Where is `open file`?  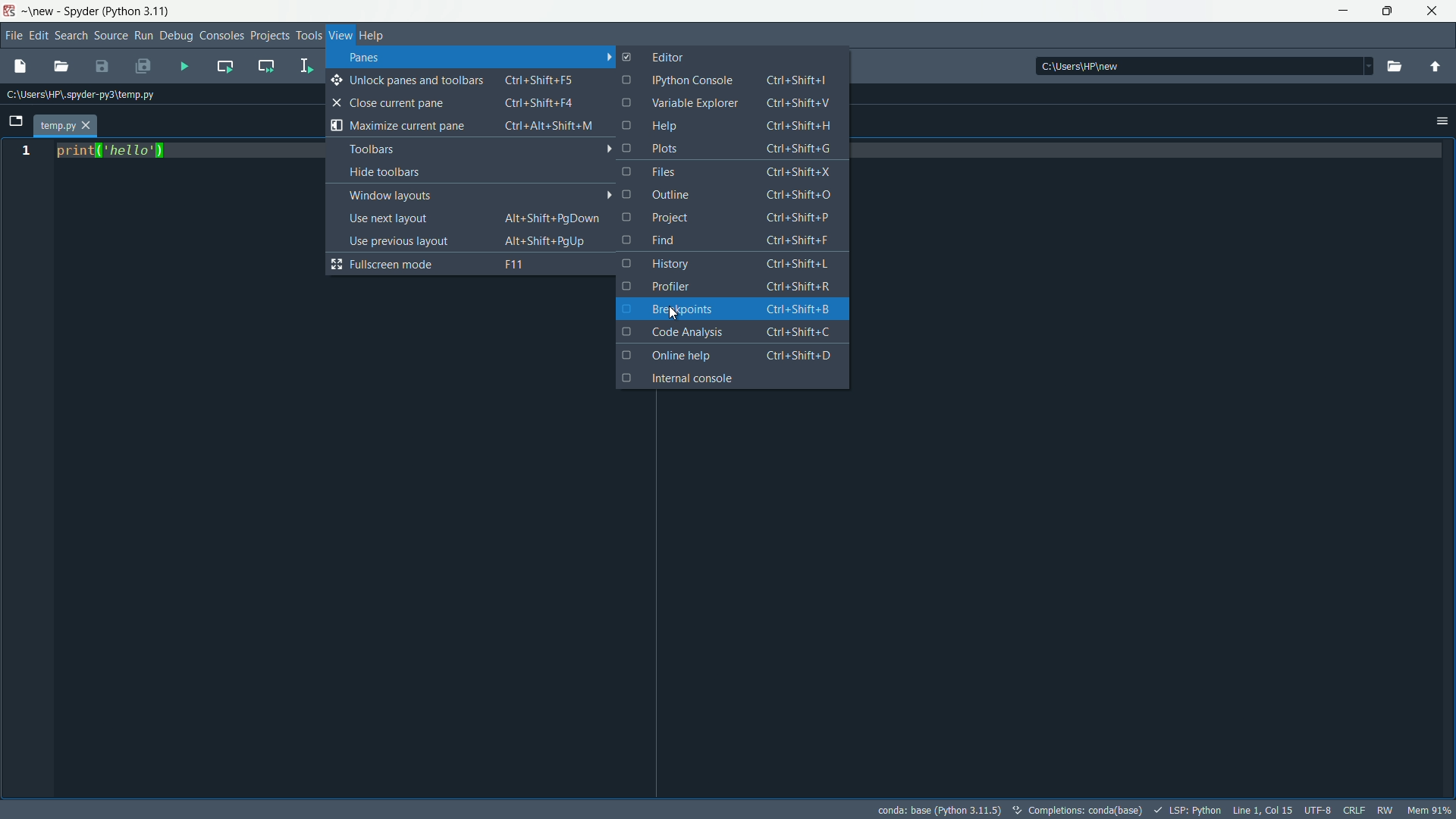 open file is located at coordinates (63, 67).